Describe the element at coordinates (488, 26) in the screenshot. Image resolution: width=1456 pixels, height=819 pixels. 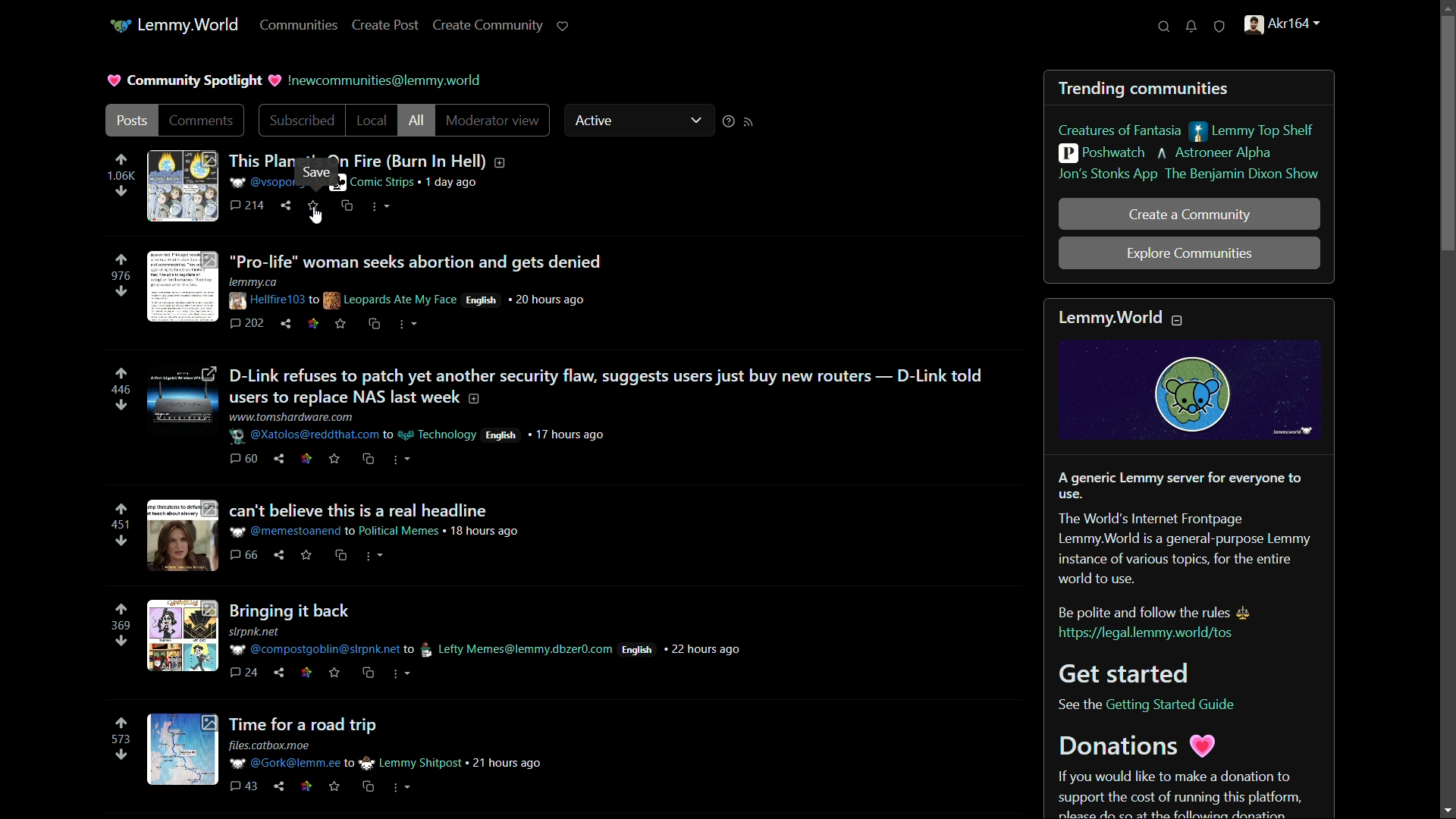
I see `create community` at that location.